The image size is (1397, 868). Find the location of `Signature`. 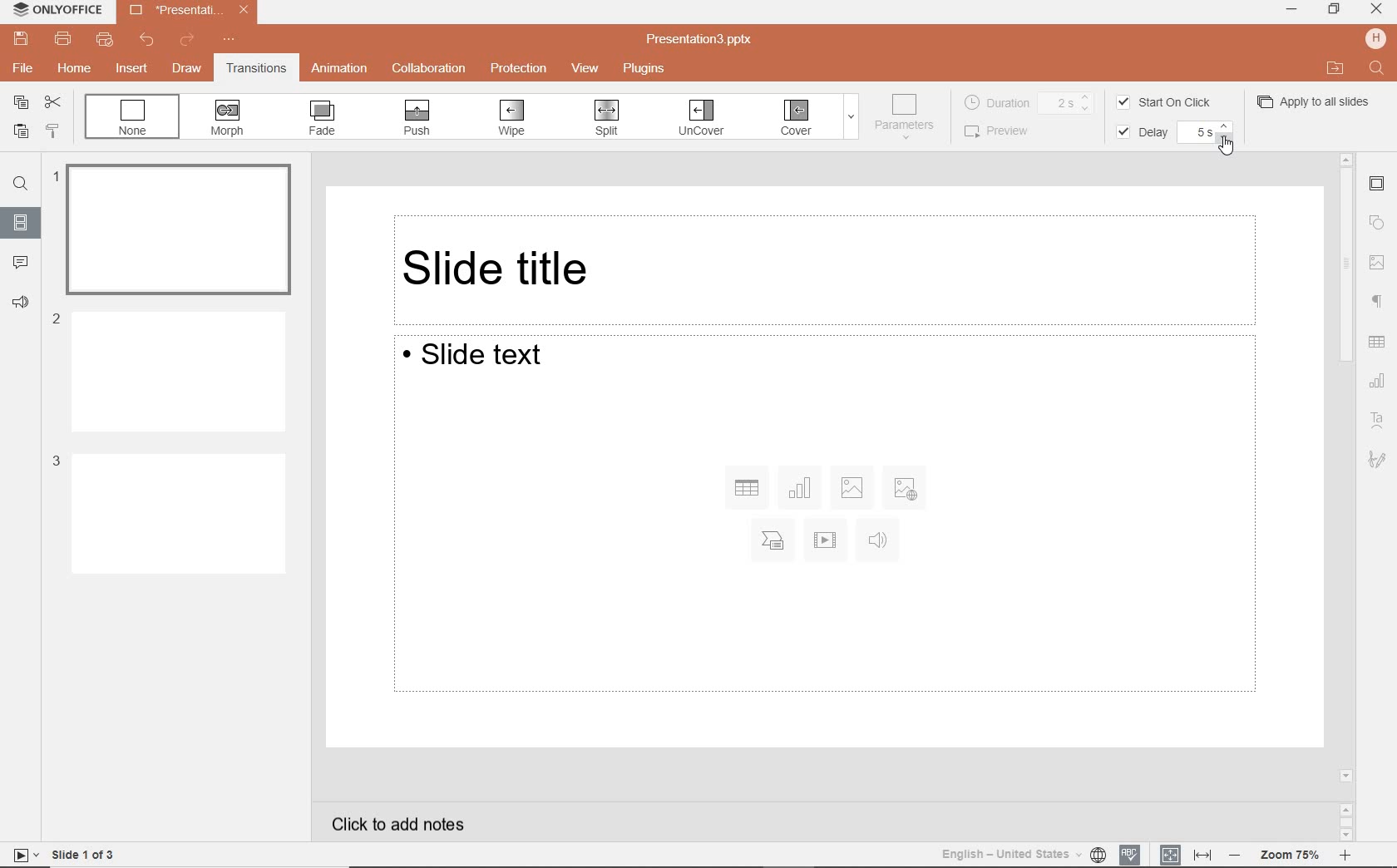

Signature is located at coordinates (1382, 462).